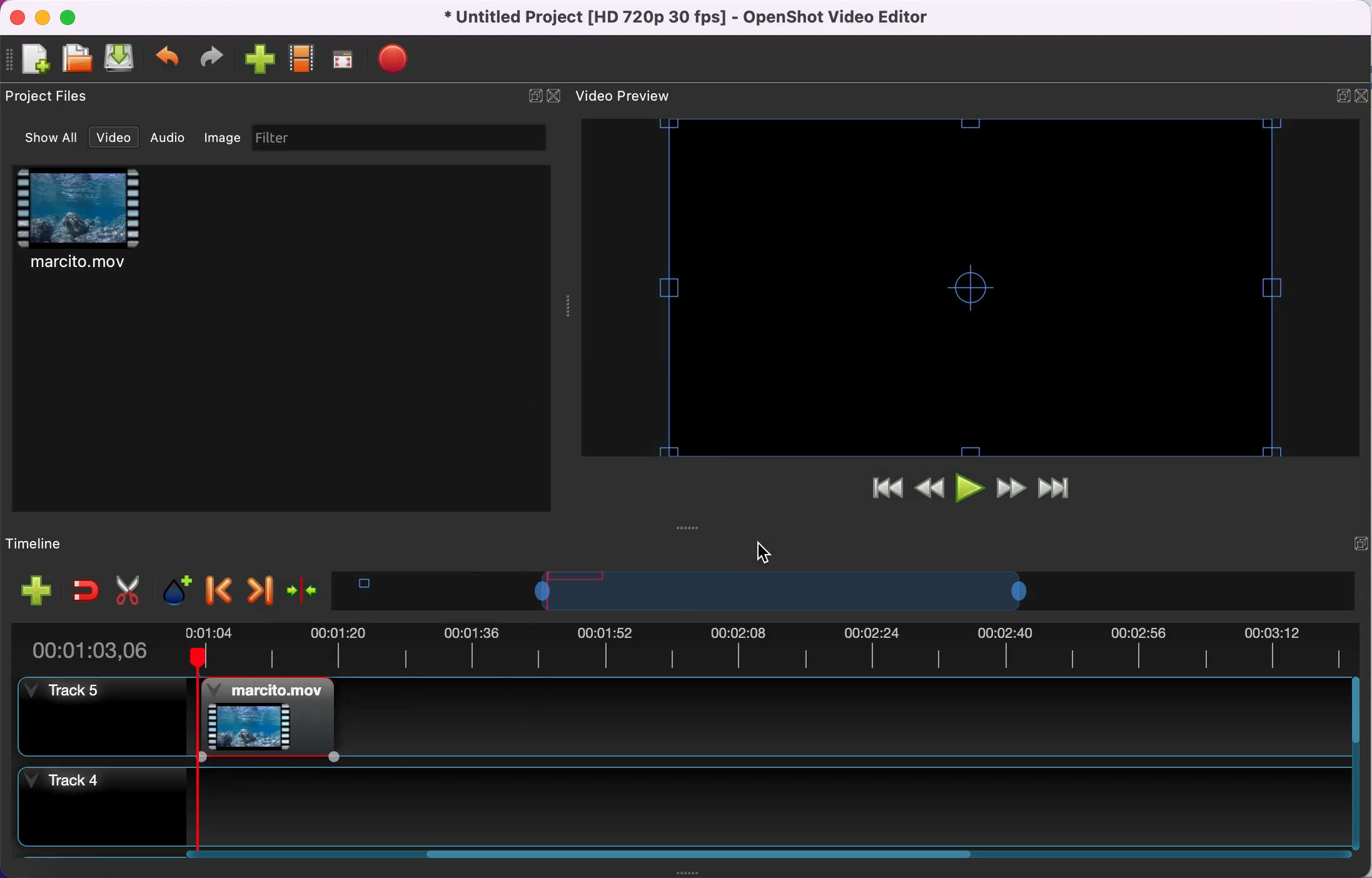 Image resolution: width=1372 pixels, height=878 pixels. Describe the element at coordinates (111, 137) in the screenshot. I see `video` at that location.